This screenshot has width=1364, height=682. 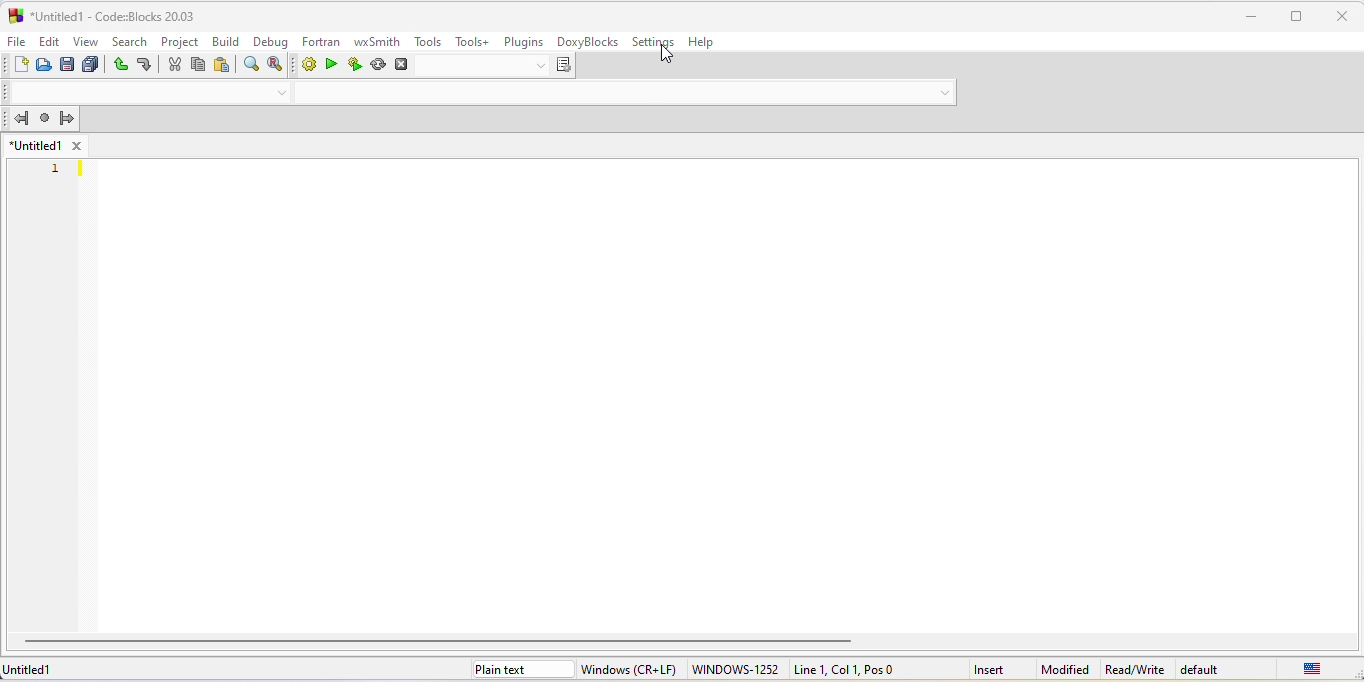 I want to click on Read/Write, so click(x=1134, y=669).